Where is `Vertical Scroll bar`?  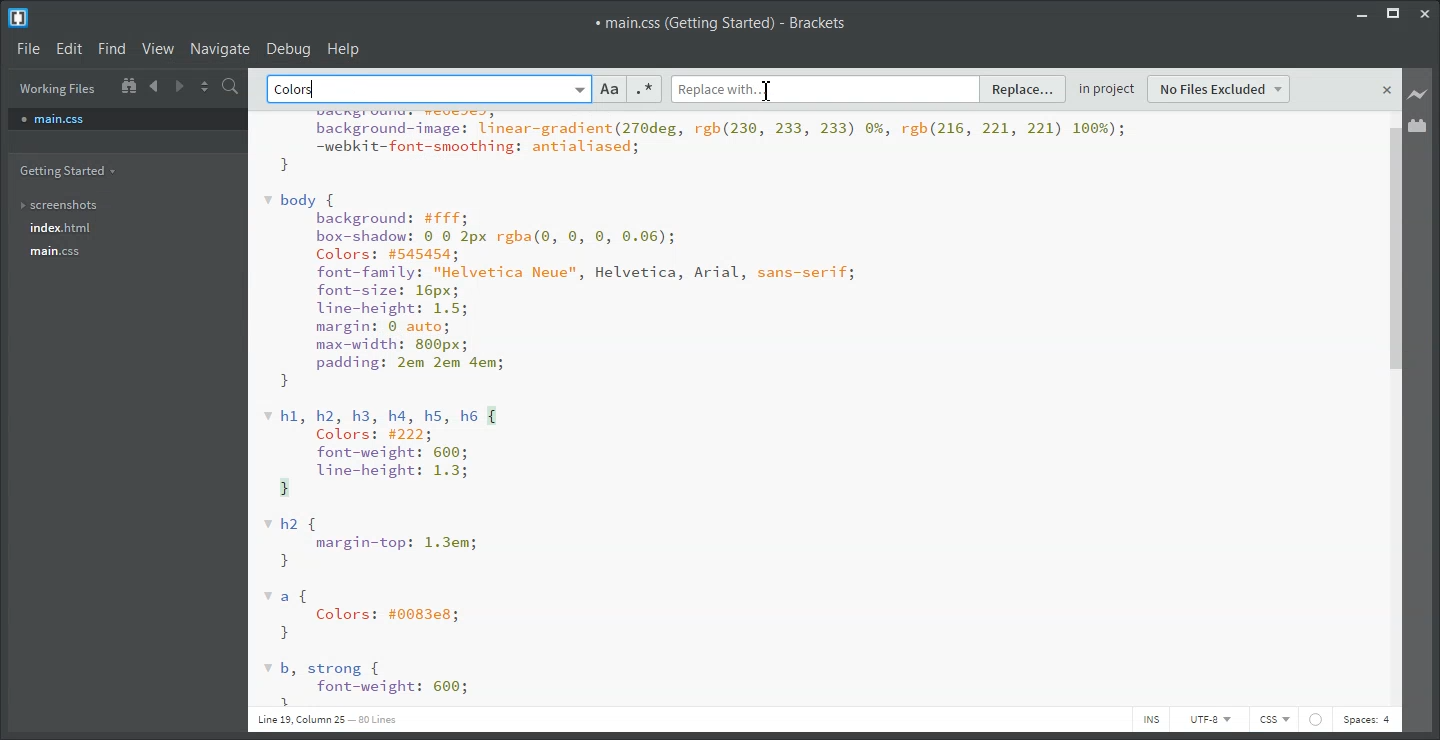 Vertical Scroll bar is located at coordinates (1394, 409).